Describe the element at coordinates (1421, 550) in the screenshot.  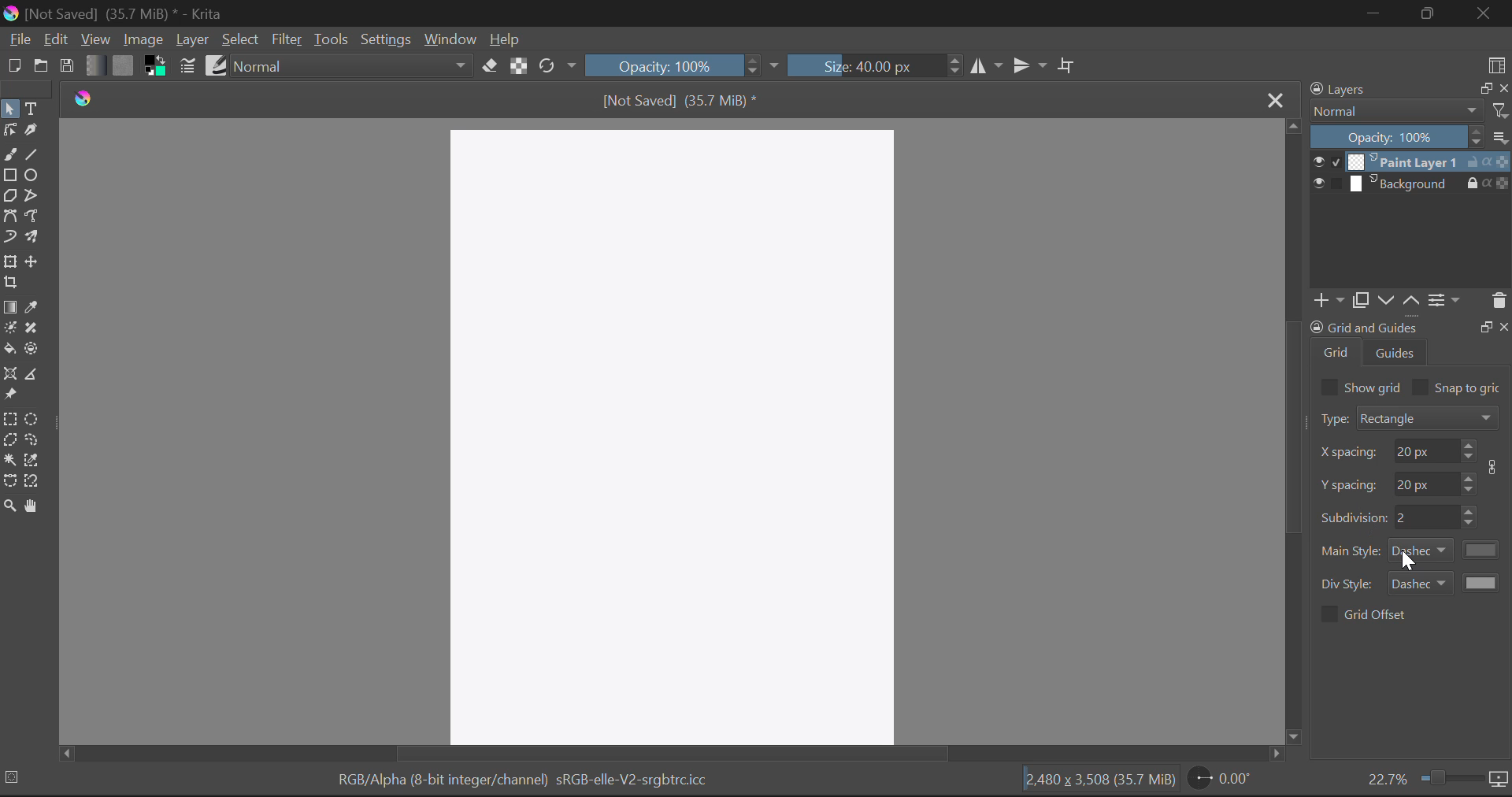
I see `style` at that location.